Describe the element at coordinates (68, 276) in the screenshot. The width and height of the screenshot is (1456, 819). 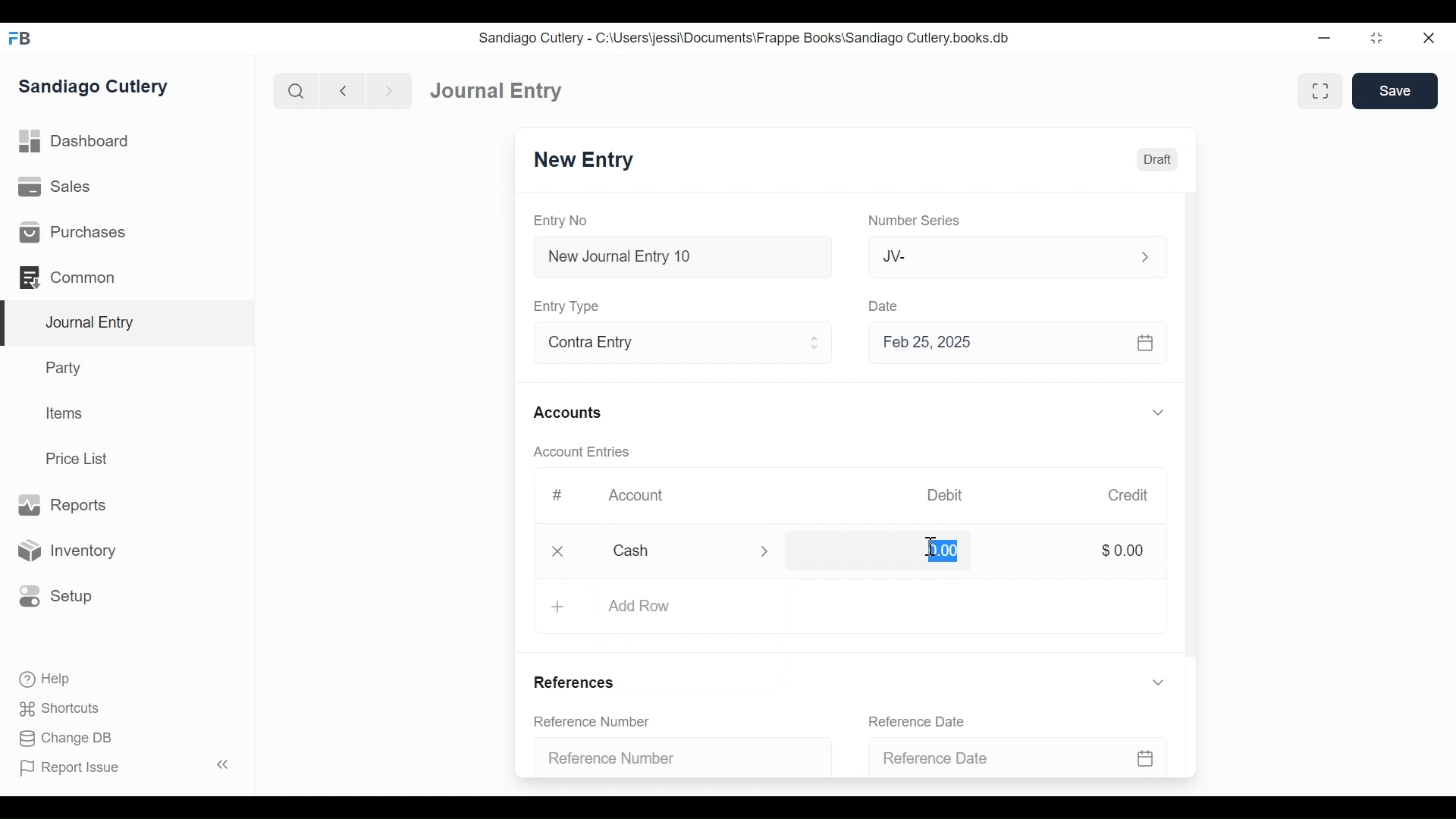
I see `Common` at that location.